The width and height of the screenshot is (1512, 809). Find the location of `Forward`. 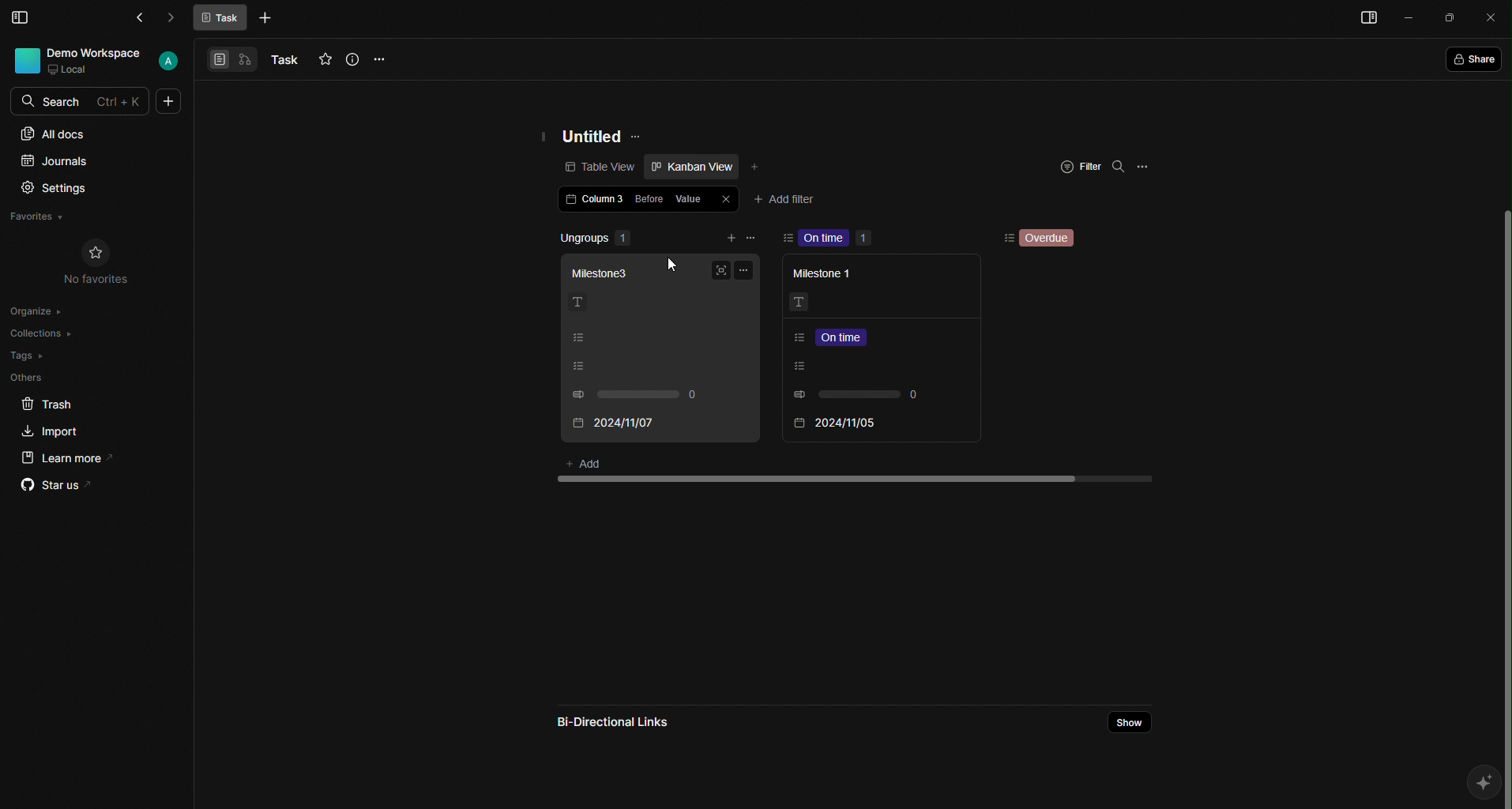

Forward is located at coordinates (169, 18).